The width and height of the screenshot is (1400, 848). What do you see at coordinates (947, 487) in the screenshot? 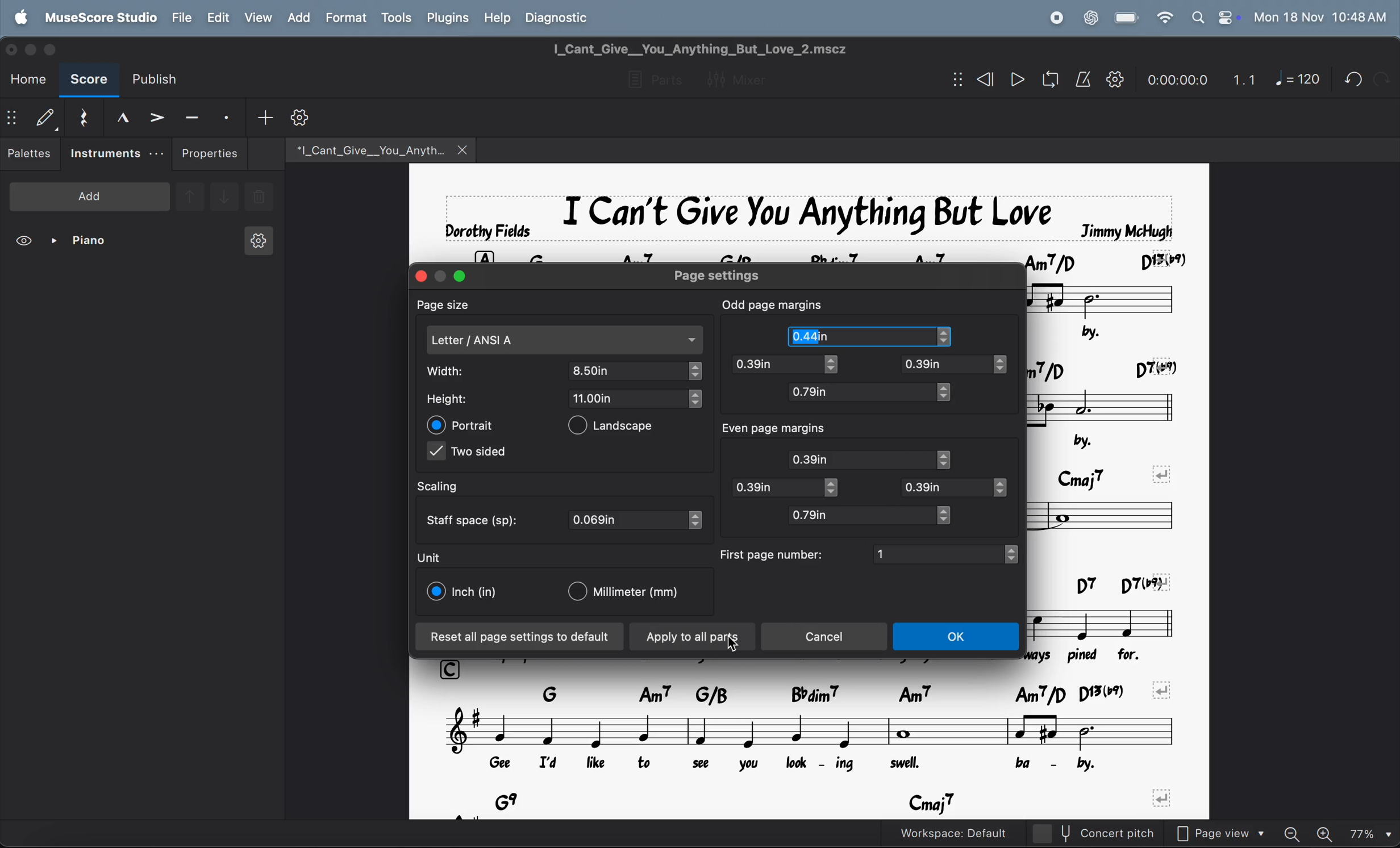
I see `0.39in` at bounding box center [947, 487].